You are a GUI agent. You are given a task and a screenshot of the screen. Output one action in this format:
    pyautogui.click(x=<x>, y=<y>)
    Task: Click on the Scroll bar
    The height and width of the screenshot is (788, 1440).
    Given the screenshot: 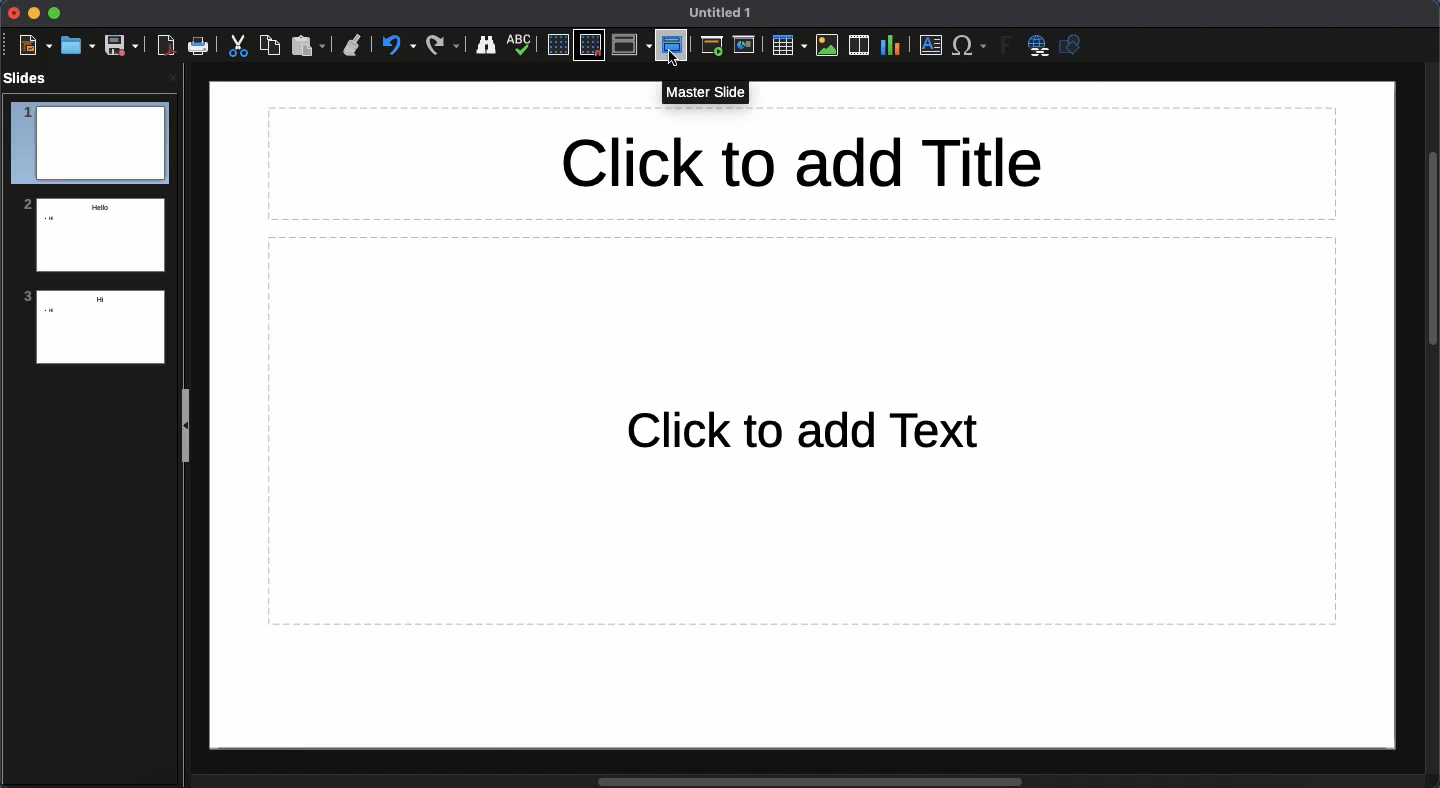 What is the action you would take?
    pyautogui.click(x=811, y=782)
    